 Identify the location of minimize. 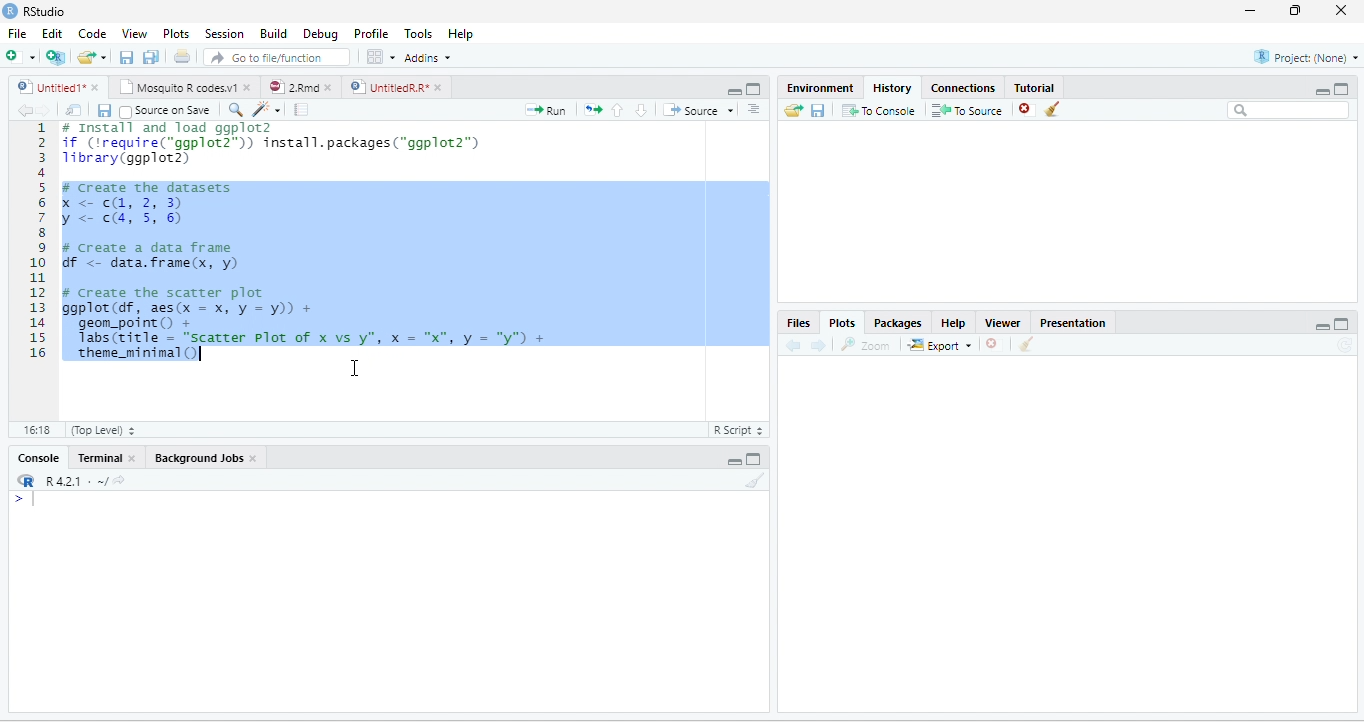
(1251, 11).